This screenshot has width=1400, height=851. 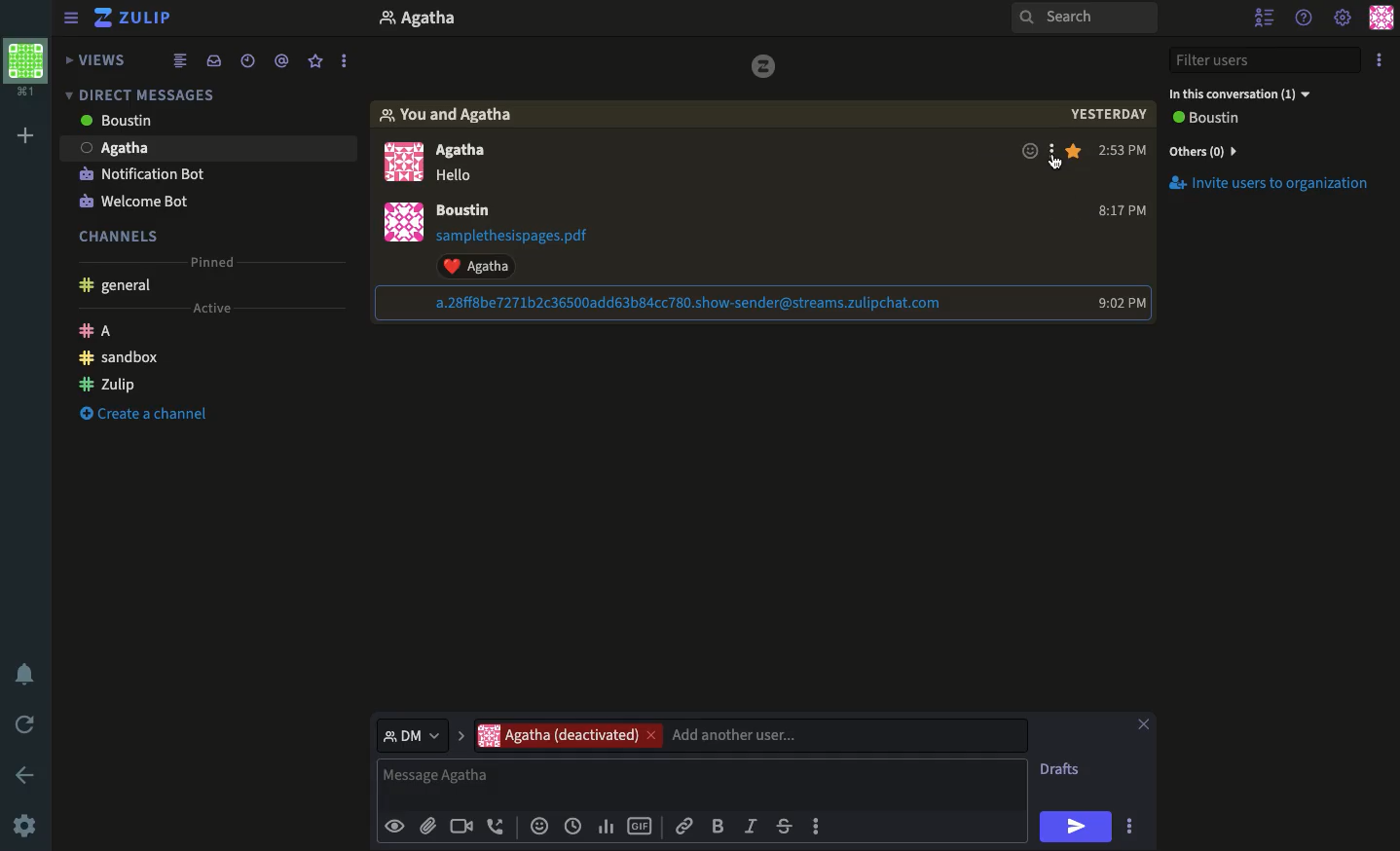 I want to click on pointer, so click(x=1055, y=166).